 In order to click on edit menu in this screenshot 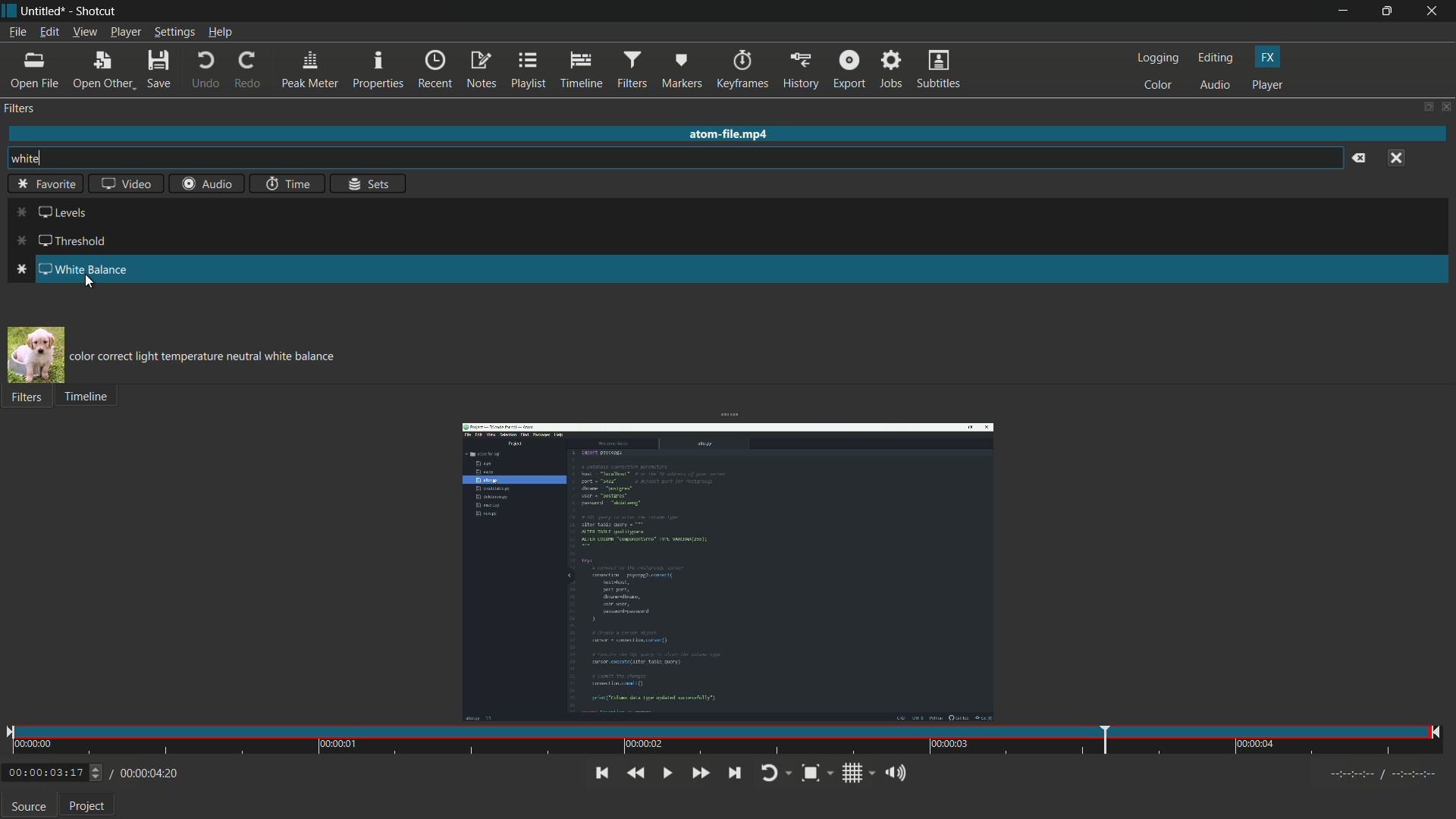, I will do `click(49, 31)`.